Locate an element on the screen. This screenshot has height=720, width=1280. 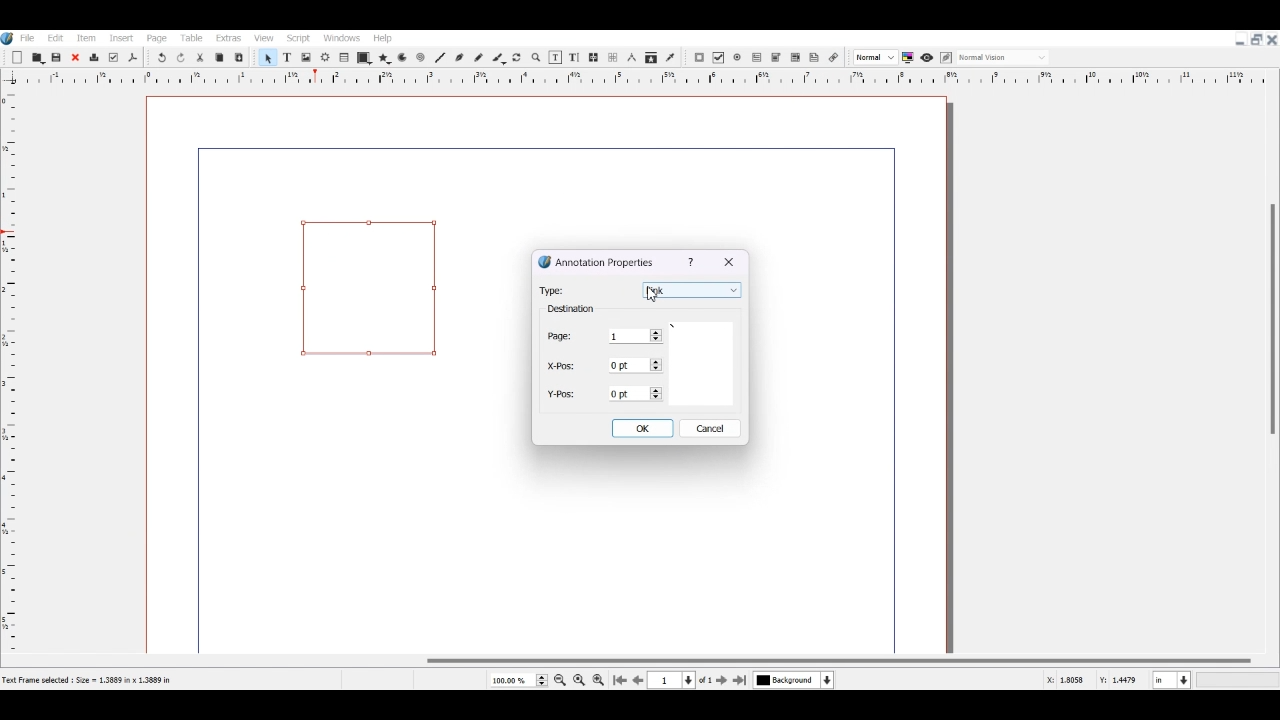
View is located at coordinates (263, 38).